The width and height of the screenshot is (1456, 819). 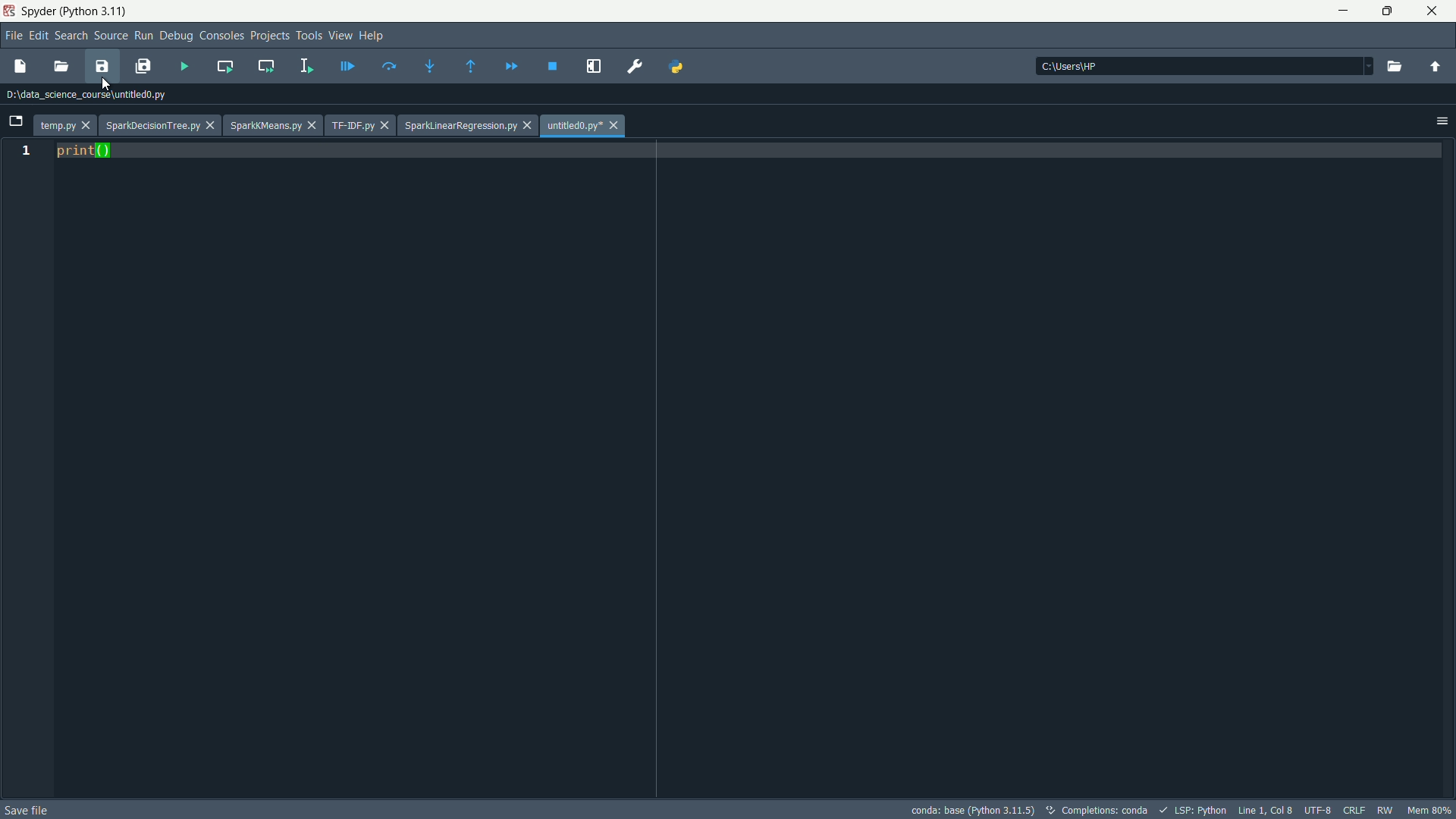 I want to click on open file, so click(x=62, y=67).